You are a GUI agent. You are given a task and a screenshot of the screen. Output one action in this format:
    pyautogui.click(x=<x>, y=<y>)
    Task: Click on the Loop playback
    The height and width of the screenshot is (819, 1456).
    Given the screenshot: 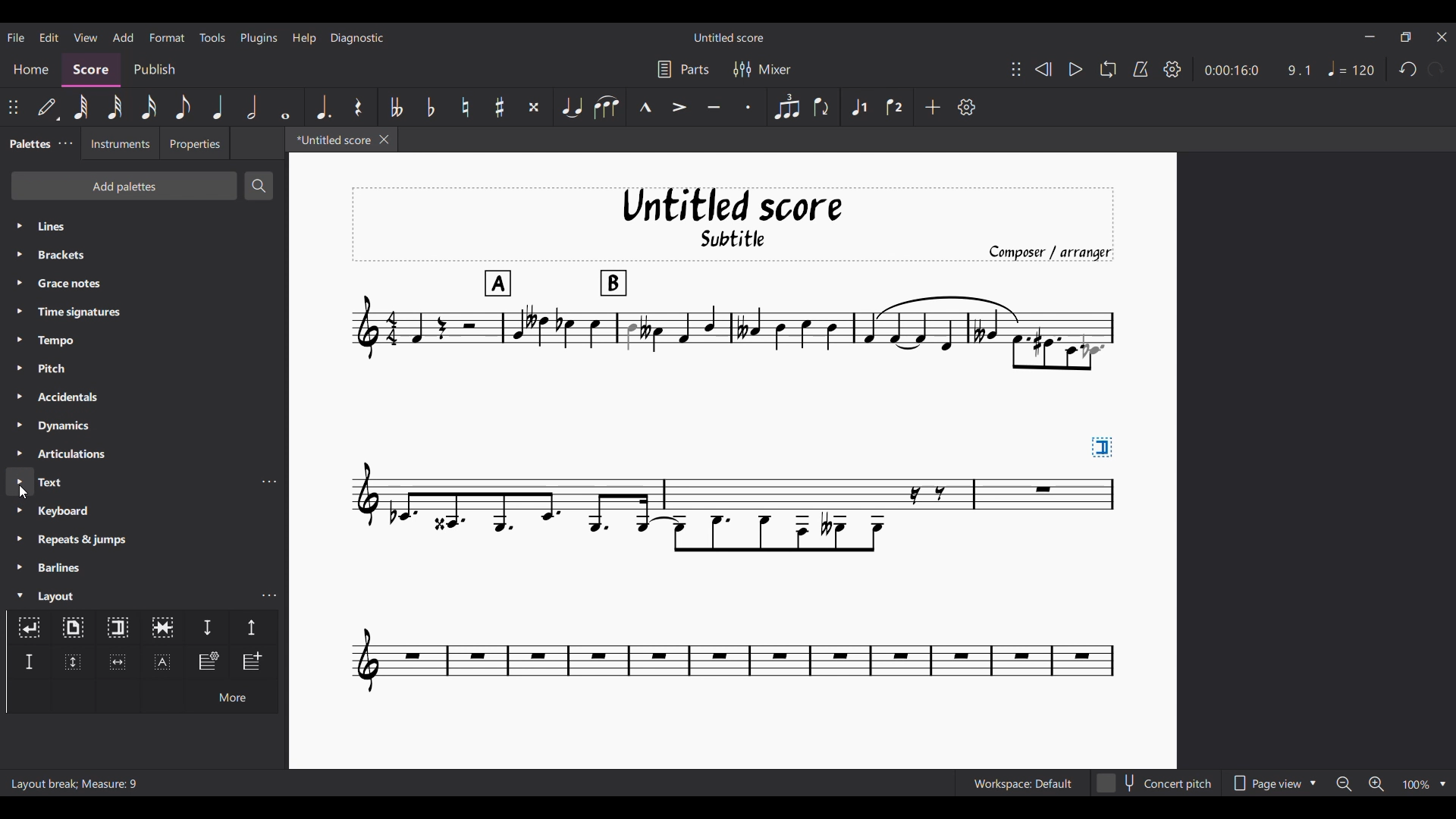 What is the action you would take?
    pyautogui.click(x=1108, y=69)
    